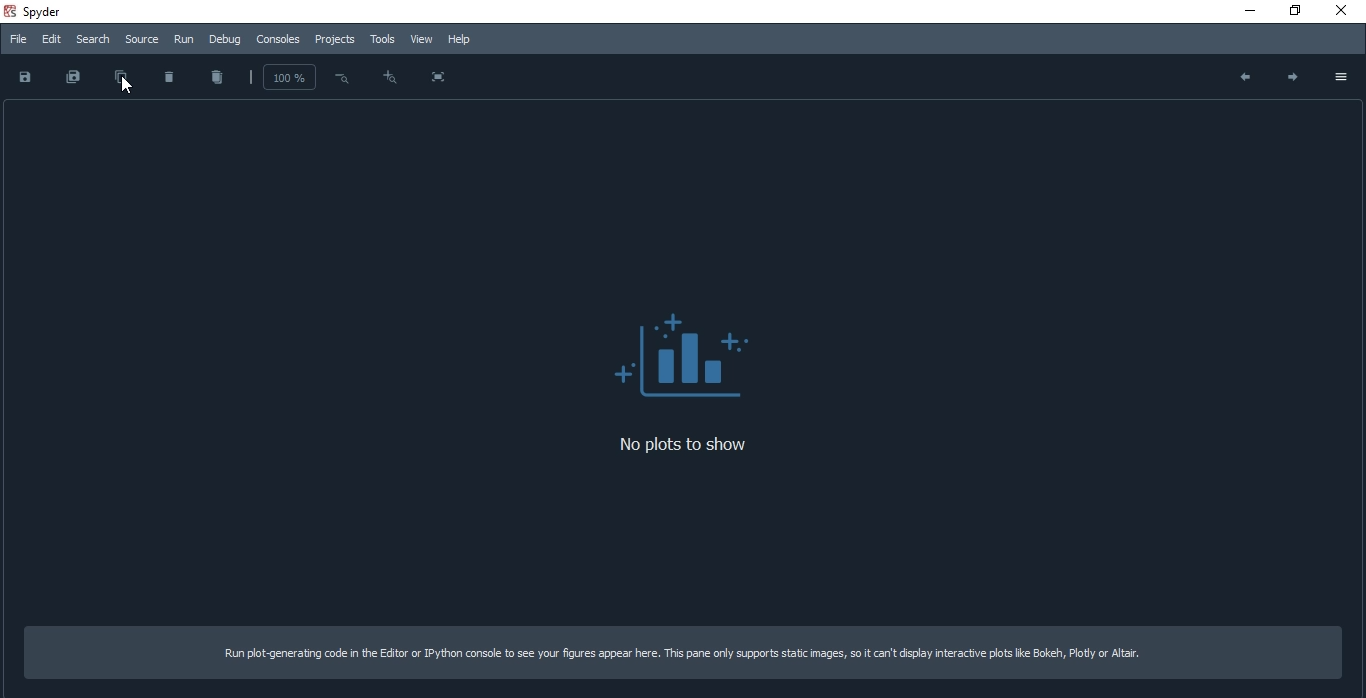 The height and width of the screenshot is (698, 1366). Describe the element at coordinates (460, 40) in the screenshot. I see `Help` at that location.